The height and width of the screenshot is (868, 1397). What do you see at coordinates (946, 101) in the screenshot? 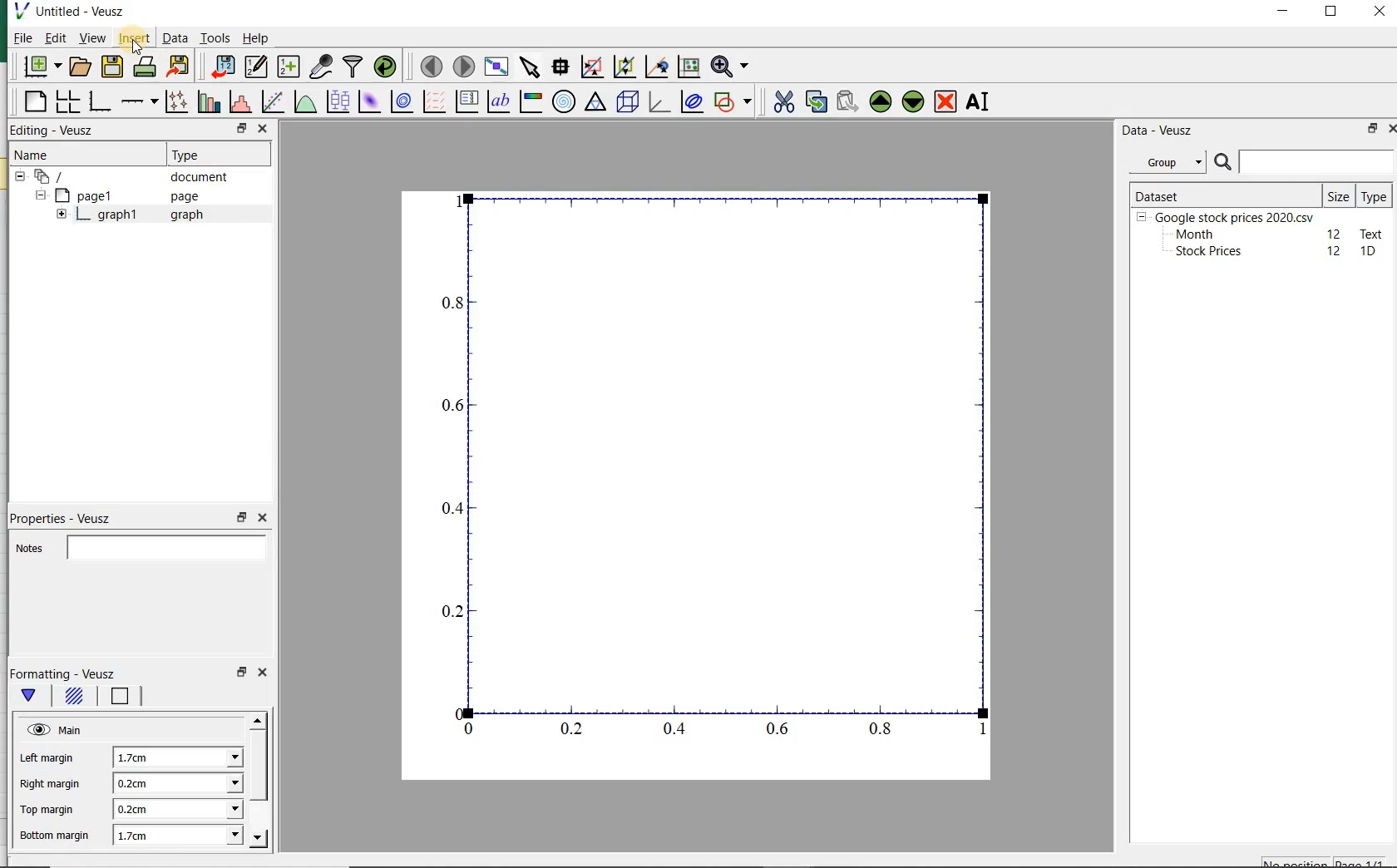
I see `remove the selected widget` at bounding box center [946, 101].